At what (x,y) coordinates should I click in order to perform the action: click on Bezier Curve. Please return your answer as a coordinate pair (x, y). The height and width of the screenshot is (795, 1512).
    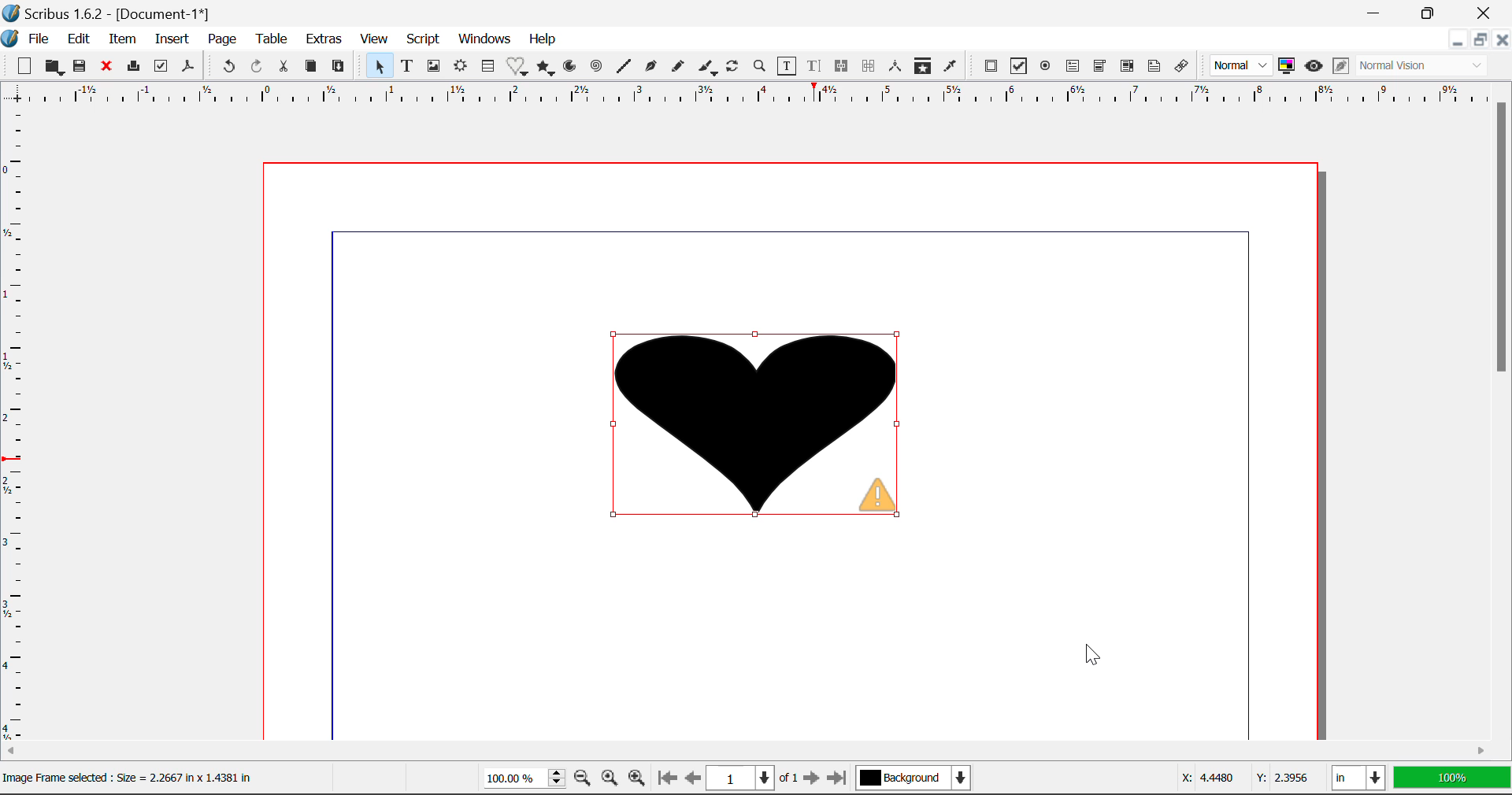
    Looking at the image, I should click on (652, 68).